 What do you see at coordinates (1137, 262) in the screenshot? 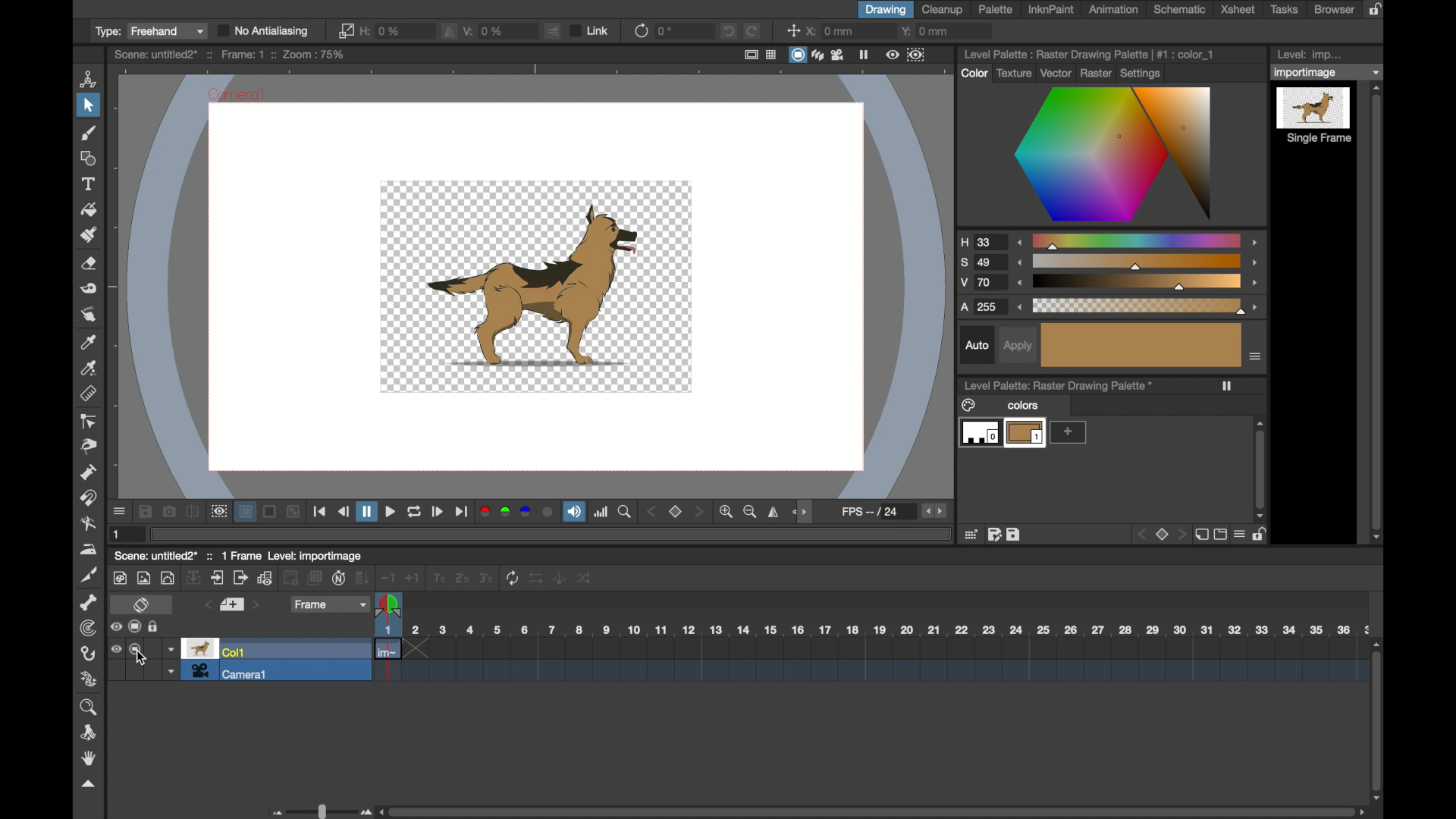
I see `scale` at bounding box center [1137, 262].